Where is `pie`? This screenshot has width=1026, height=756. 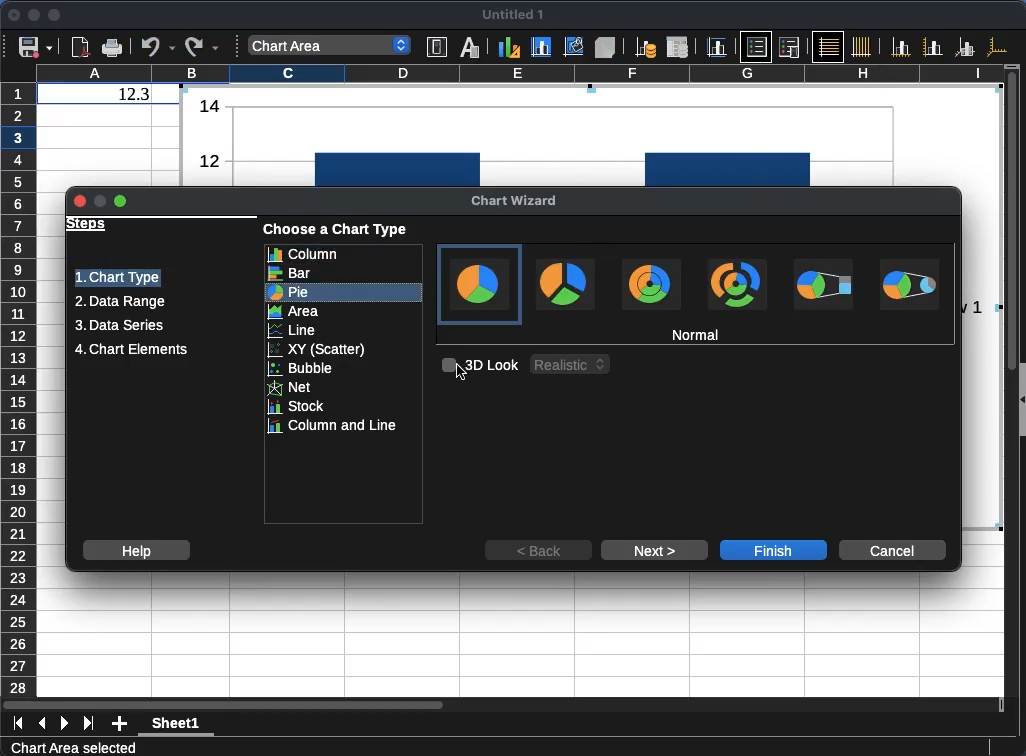 pie is located at coordinates (344, 293).